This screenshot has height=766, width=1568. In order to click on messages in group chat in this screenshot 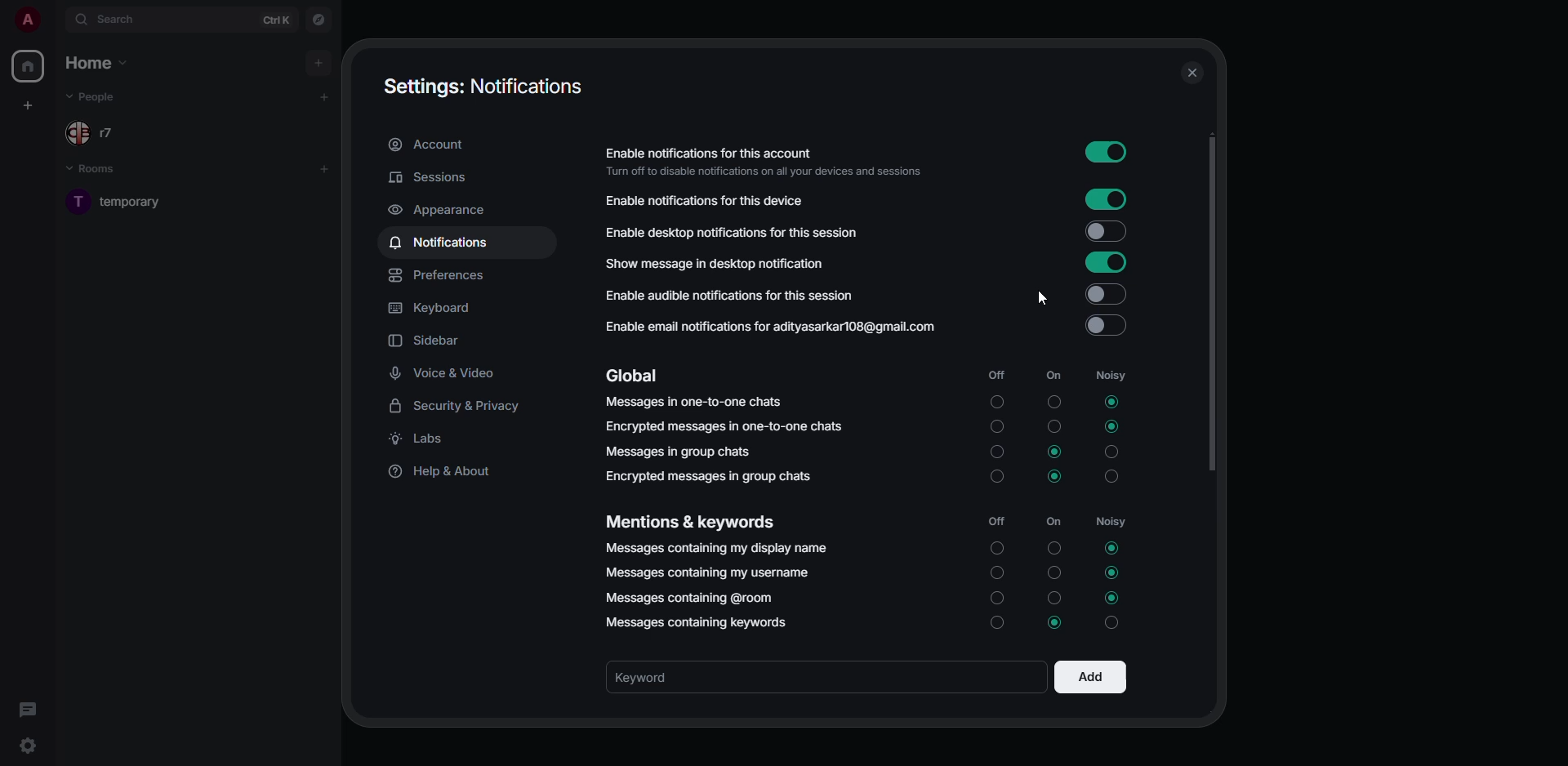, I will do `click(678, 450)`.